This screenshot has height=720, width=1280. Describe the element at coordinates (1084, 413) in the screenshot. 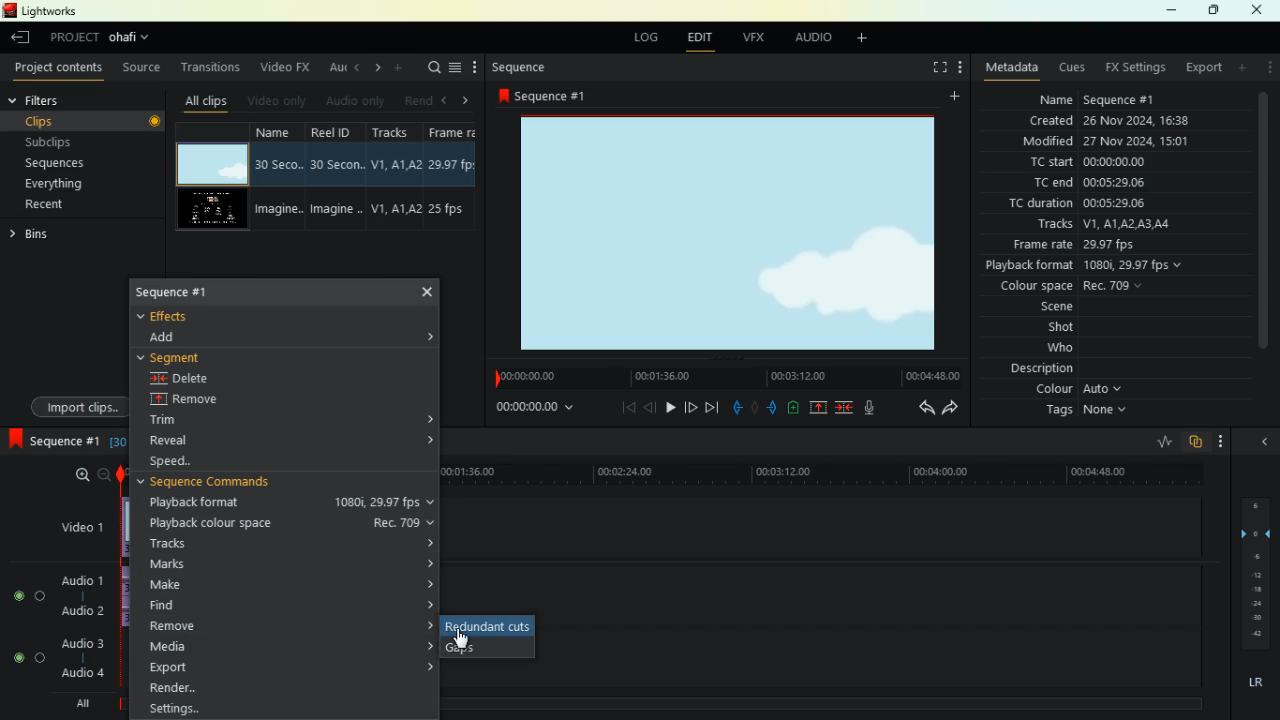

I see `tags` at that location.